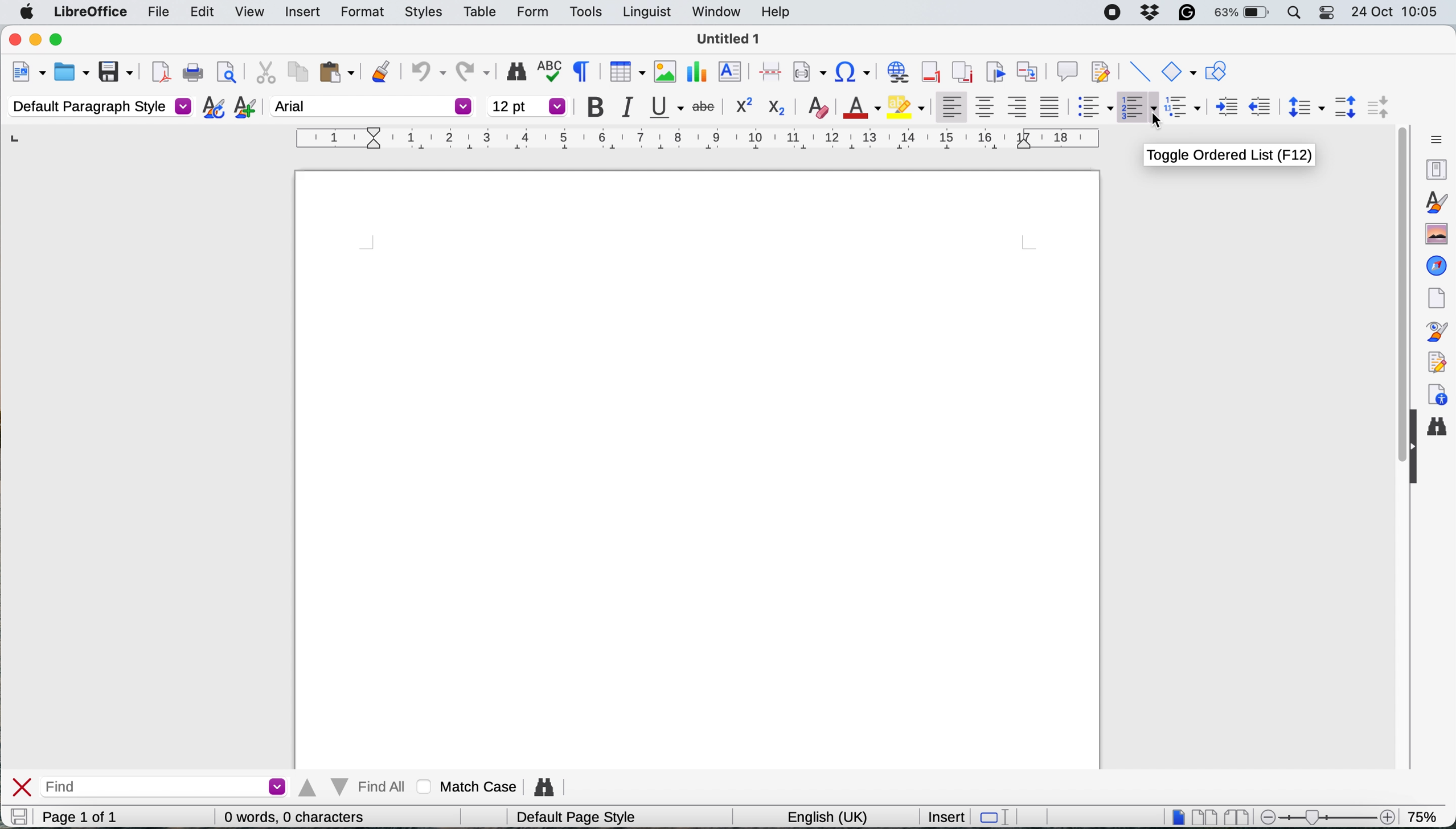  I want to click on english(uk), so click(832, 817).